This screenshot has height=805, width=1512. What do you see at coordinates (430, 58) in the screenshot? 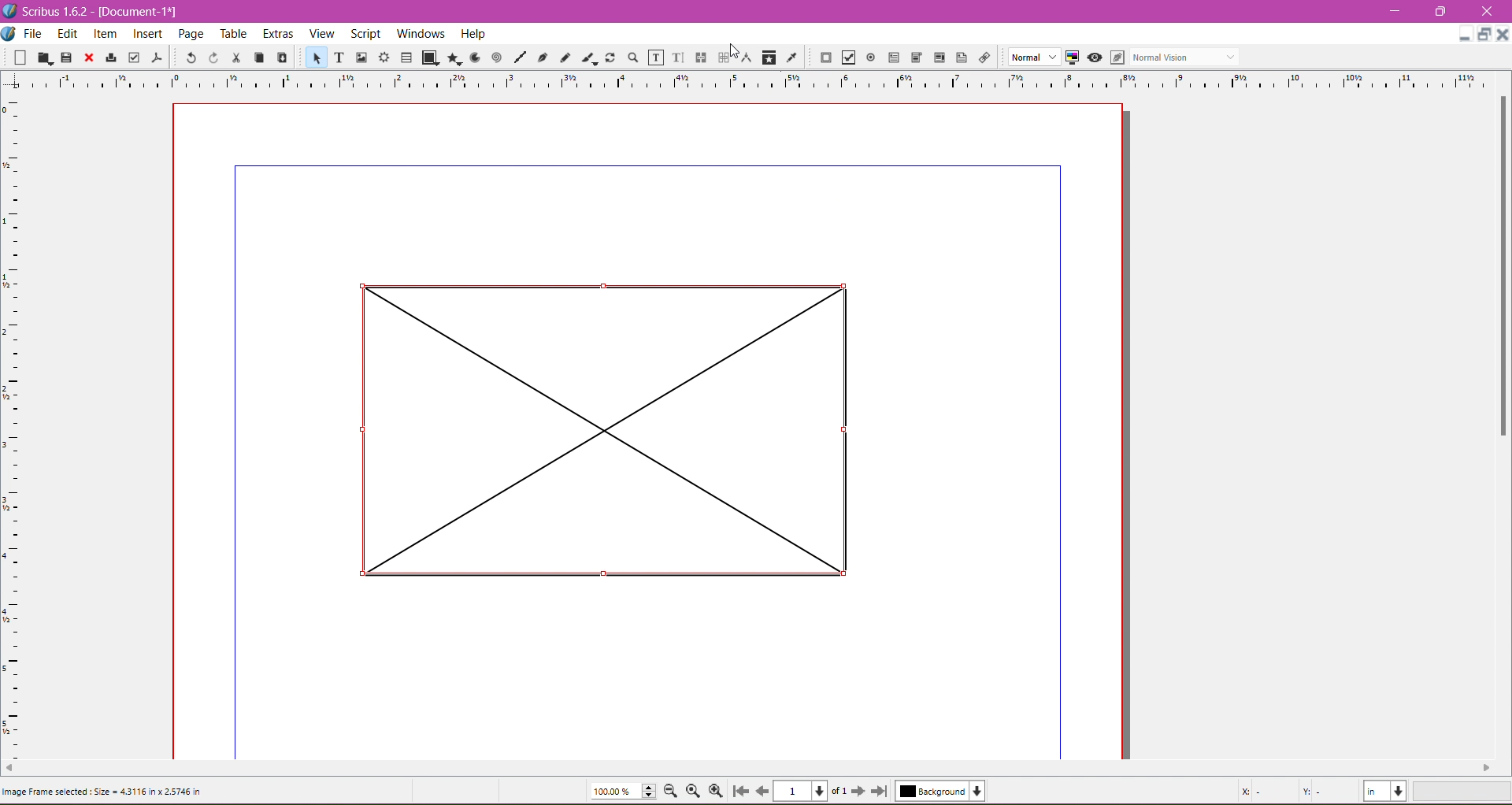
I see `Shape ` at bounding box center [430, 58].